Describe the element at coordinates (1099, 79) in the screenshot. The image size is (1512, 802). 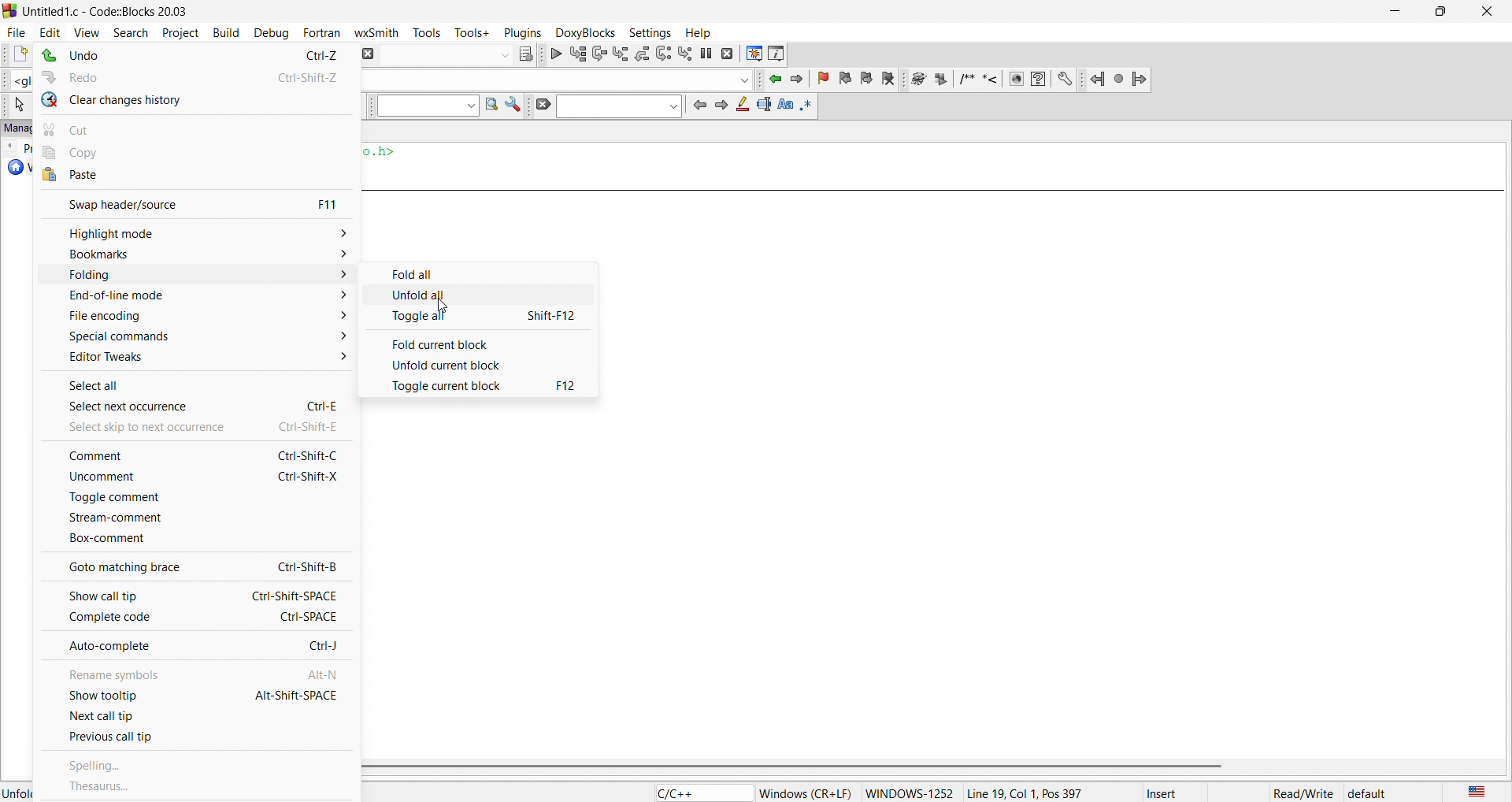
I see `jump back` at that location.